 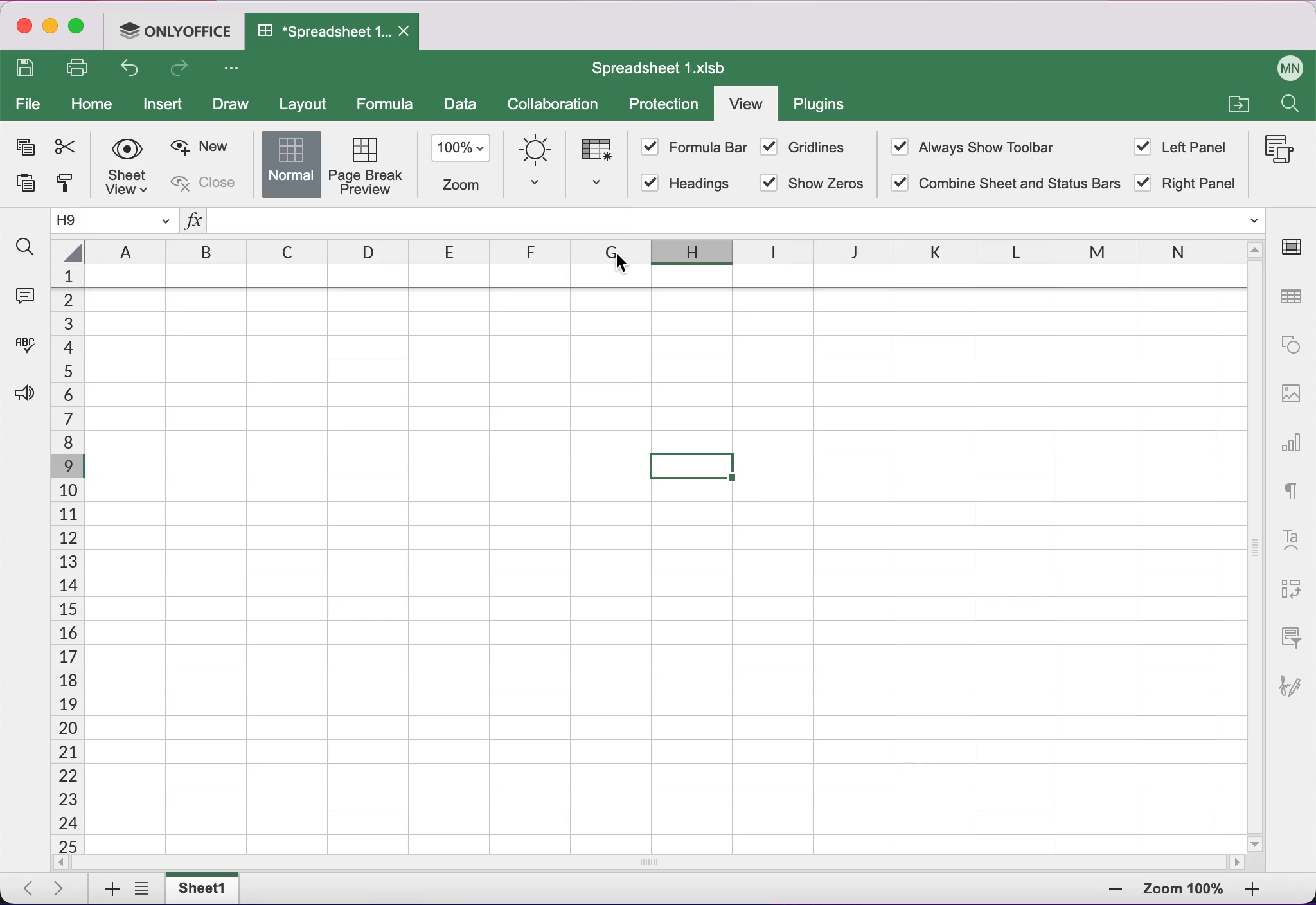 What do you see at coordinates (28, 296) in the screenshot?
I see `comments` at bounding box center [28, 296].